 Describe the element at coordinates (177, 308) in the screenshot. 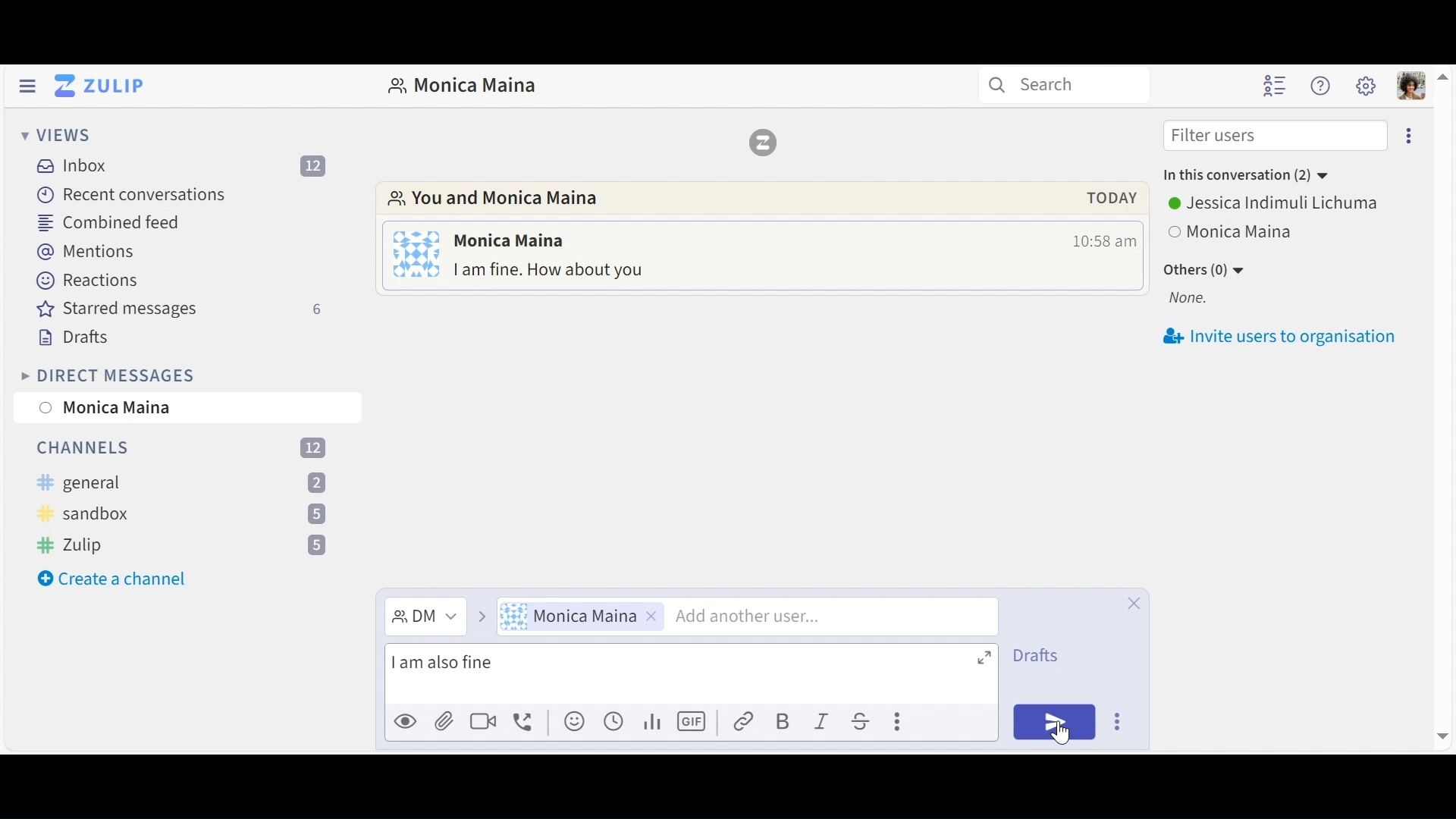

I see `Starred messages` at that location.